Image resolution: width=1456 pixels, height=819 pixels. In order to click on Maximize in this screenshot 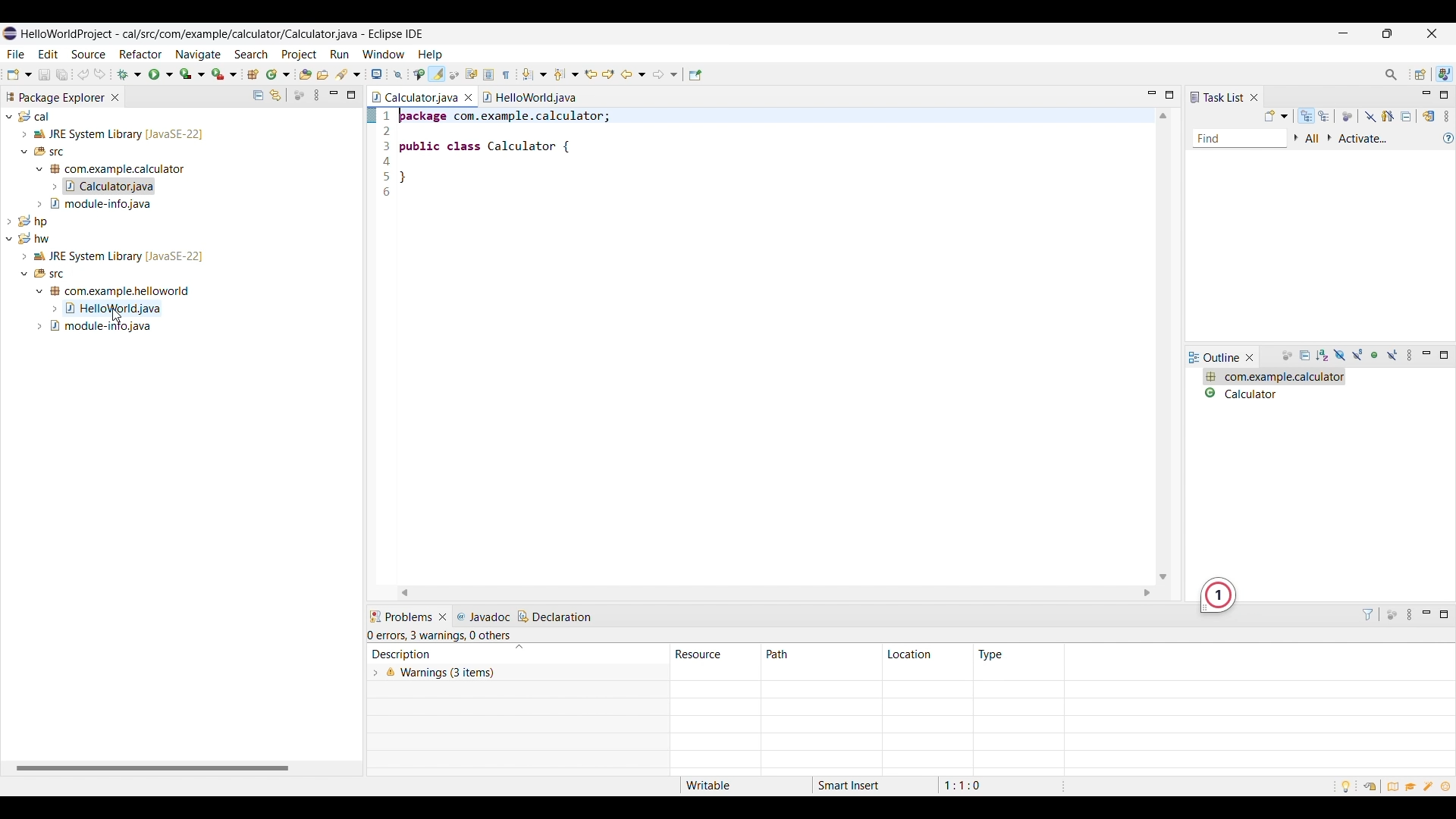, I will do `click(1443, 95)`.